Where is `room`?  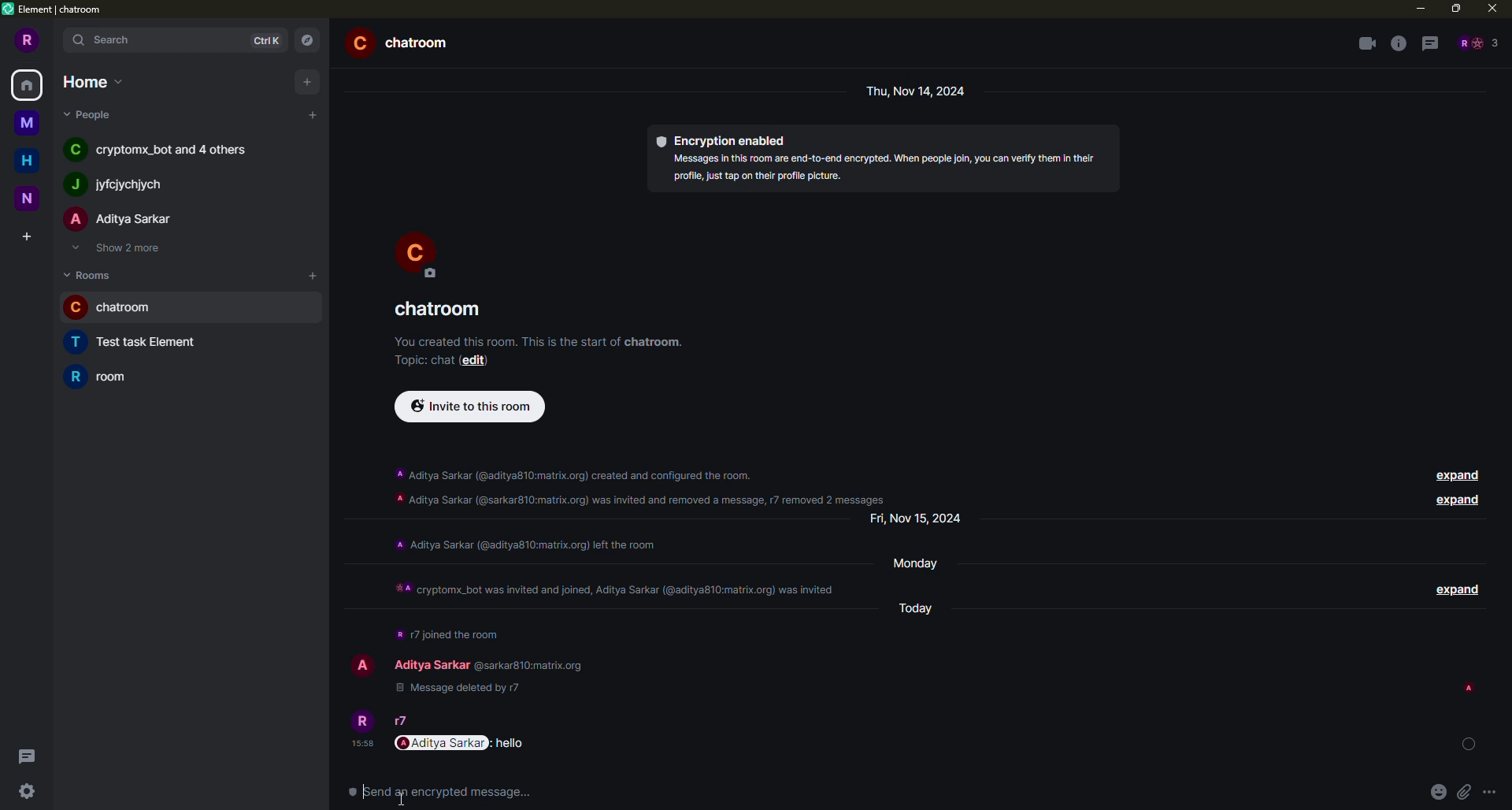 room is located at coordinates (109, 376).